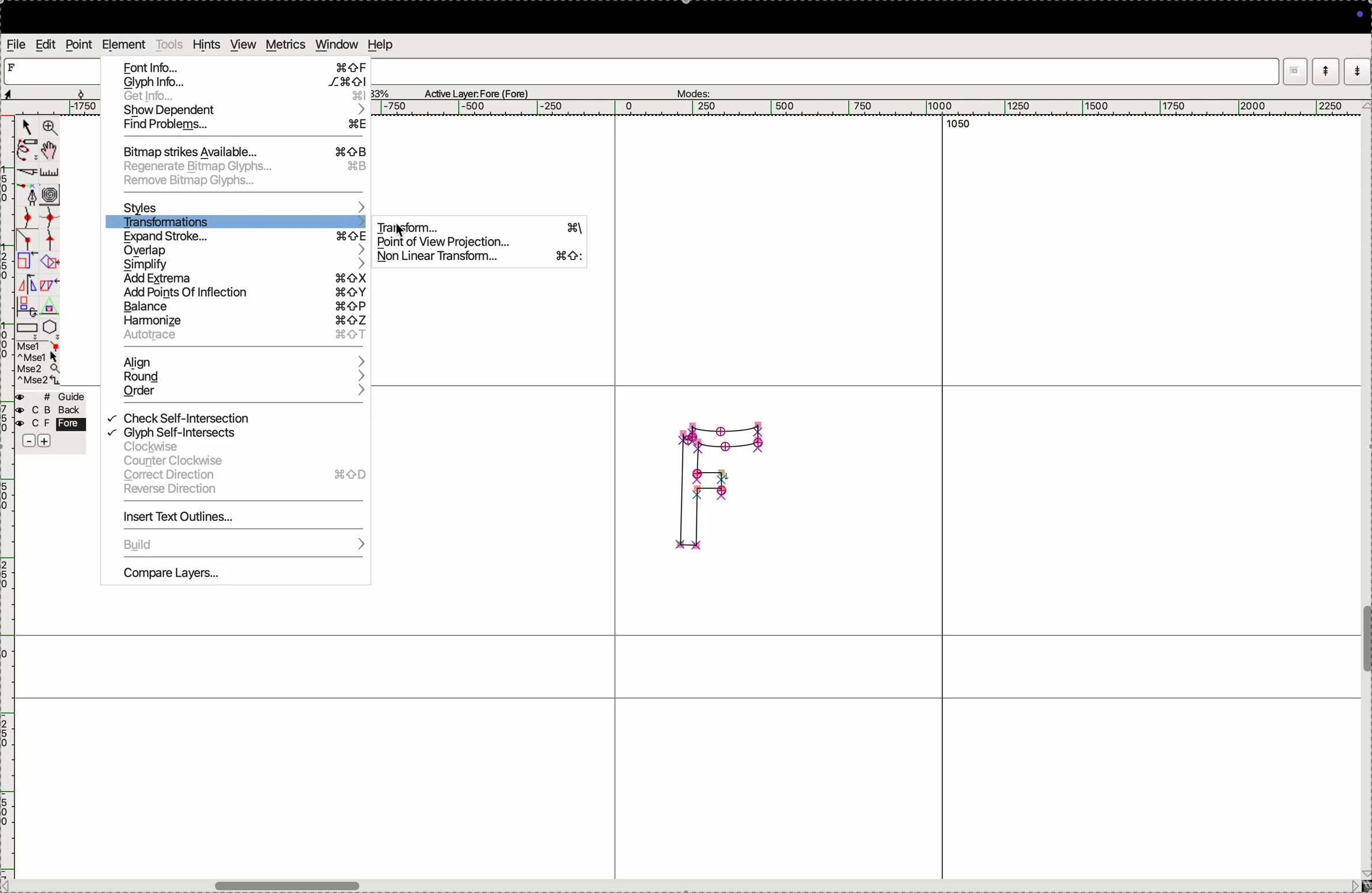 This screenshot has width=1372, height=893. Describe the element at coordinates (243, 182) in the screenshot. I see `remove bit map glyph` at that location.